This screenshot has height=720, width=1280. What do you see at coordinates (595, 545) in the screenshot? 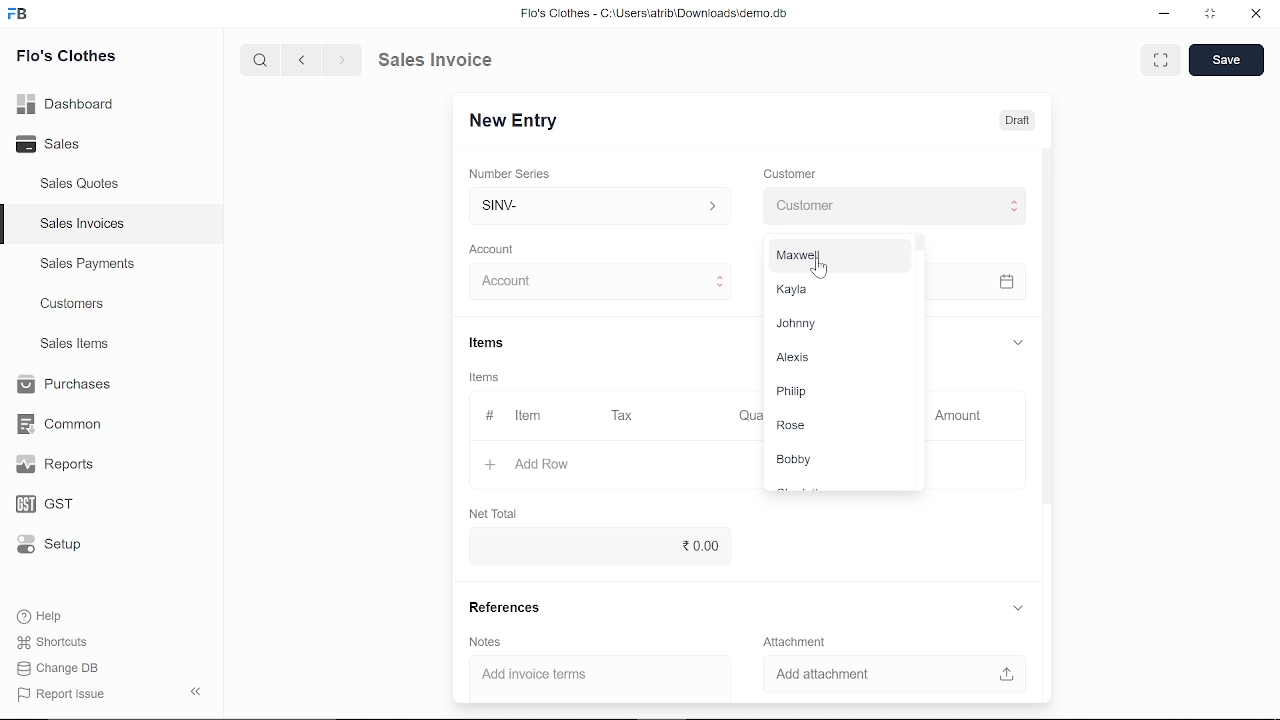
I see `20.00` at bounding box center [595, 545].